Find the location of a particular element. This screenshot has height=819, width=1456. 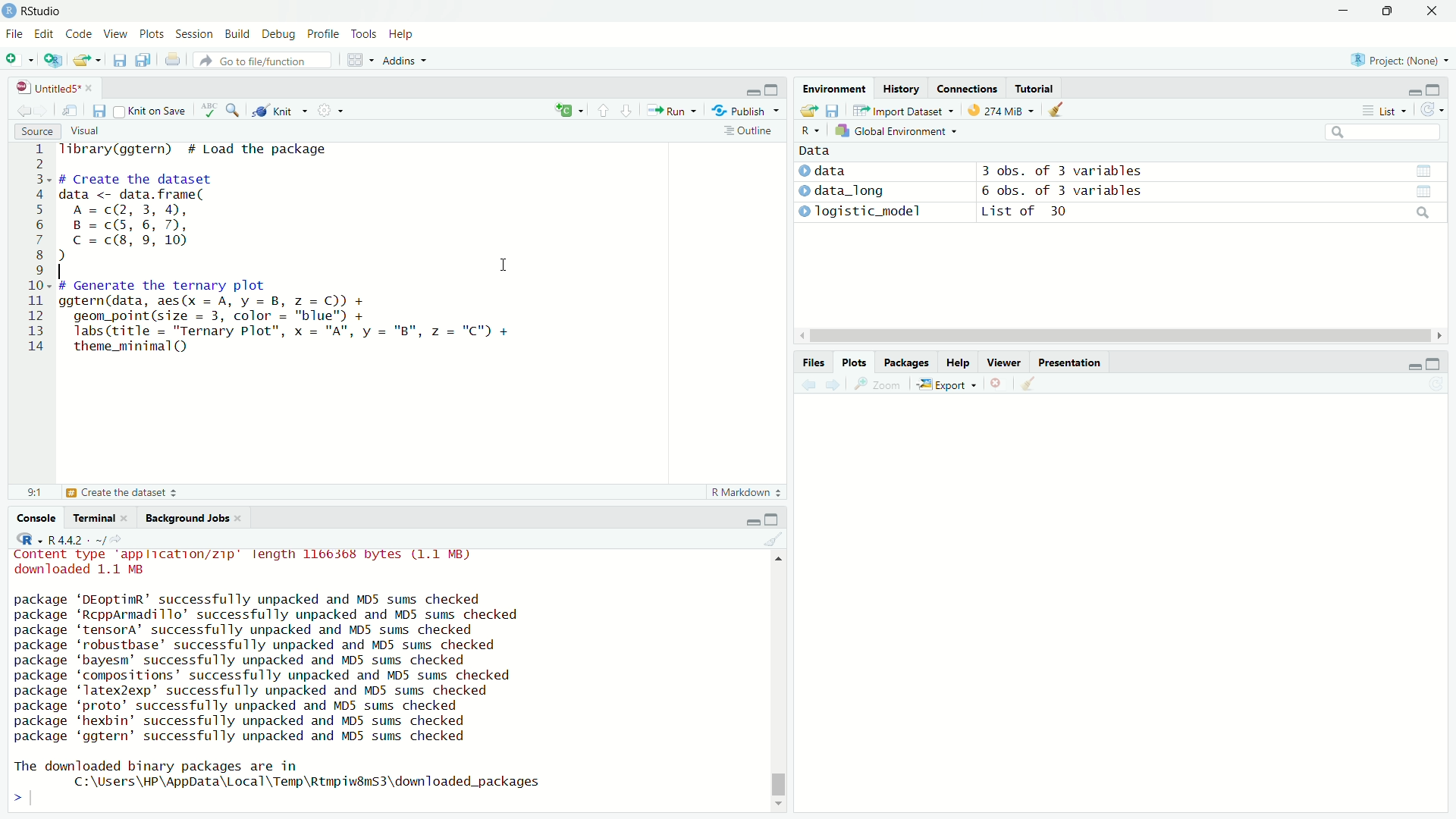

List is located at coordinates (1381, 111).